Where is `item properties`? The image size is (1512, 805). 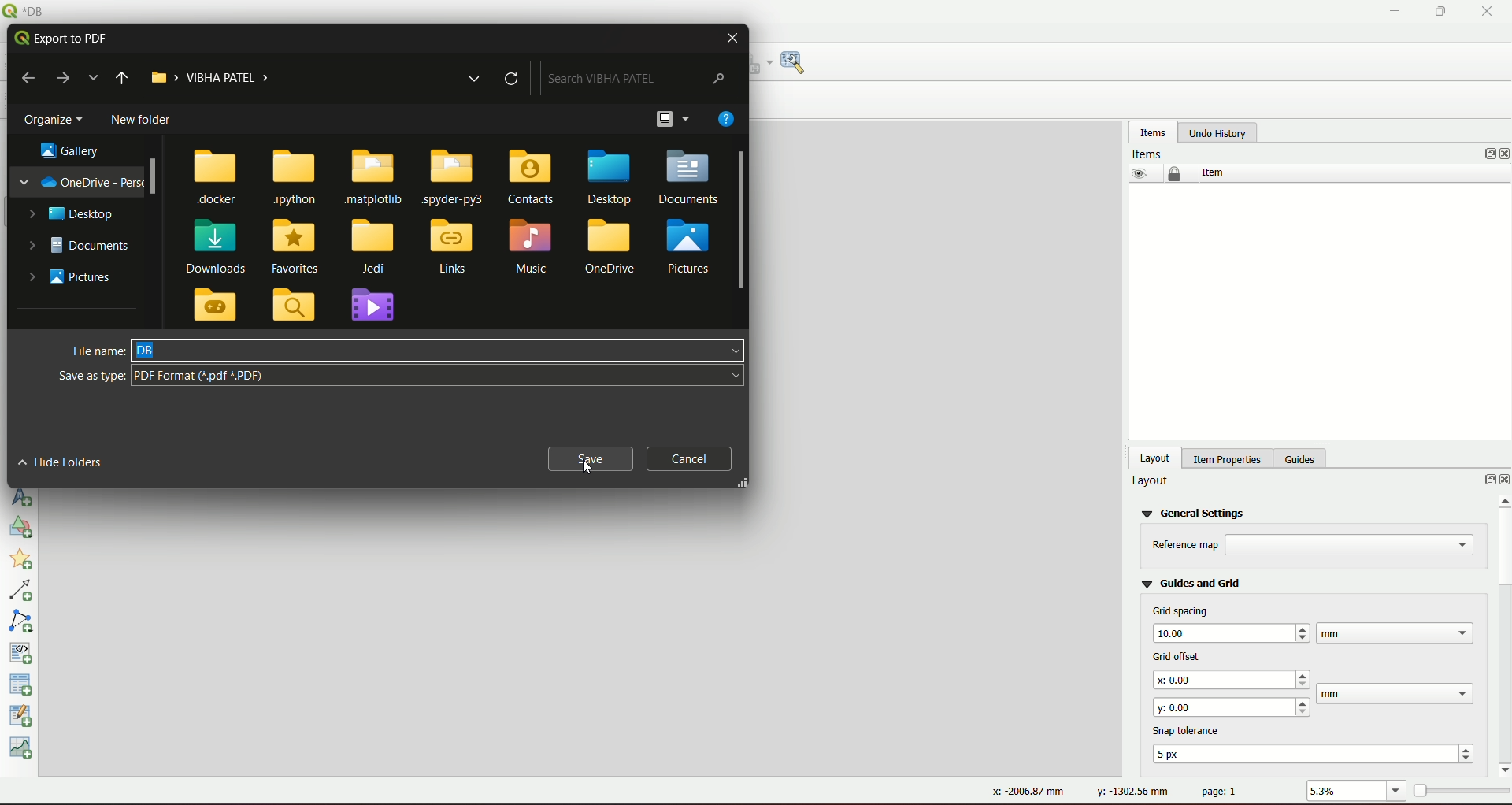 item properties is located at coordinates (1225, 457).